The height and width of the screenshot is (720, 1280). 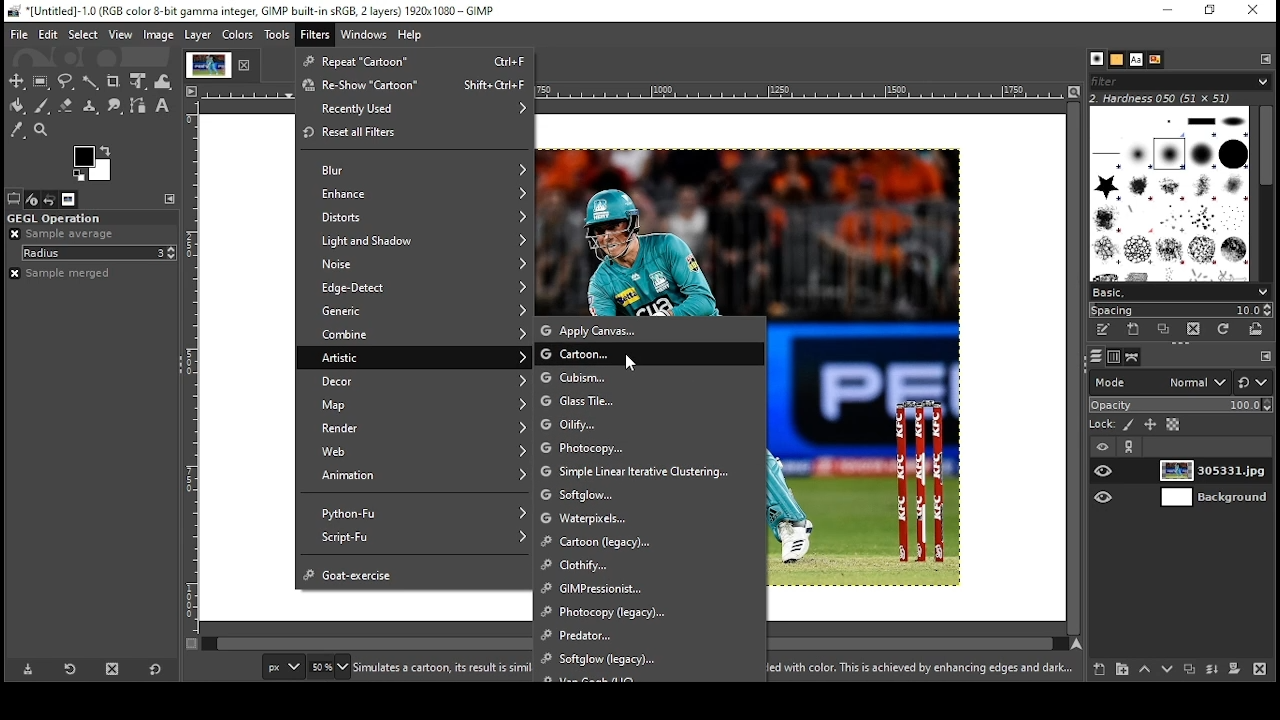 What do you see at coordinates (18, 105) in the screenshot?
I see `paint bucket tool` at bounding box center [18, 105].